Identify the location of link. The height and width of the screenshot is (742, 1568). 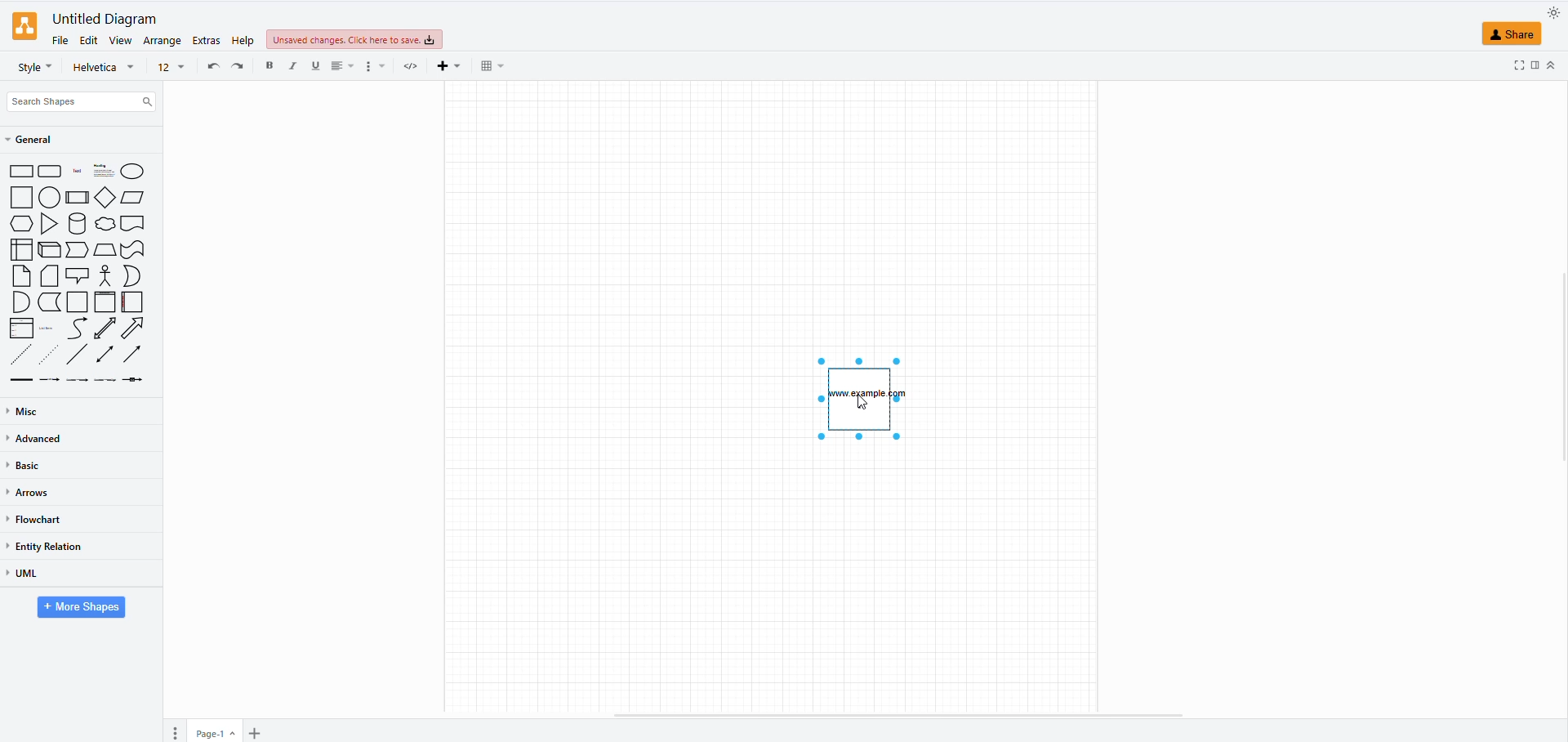
(23, 379).